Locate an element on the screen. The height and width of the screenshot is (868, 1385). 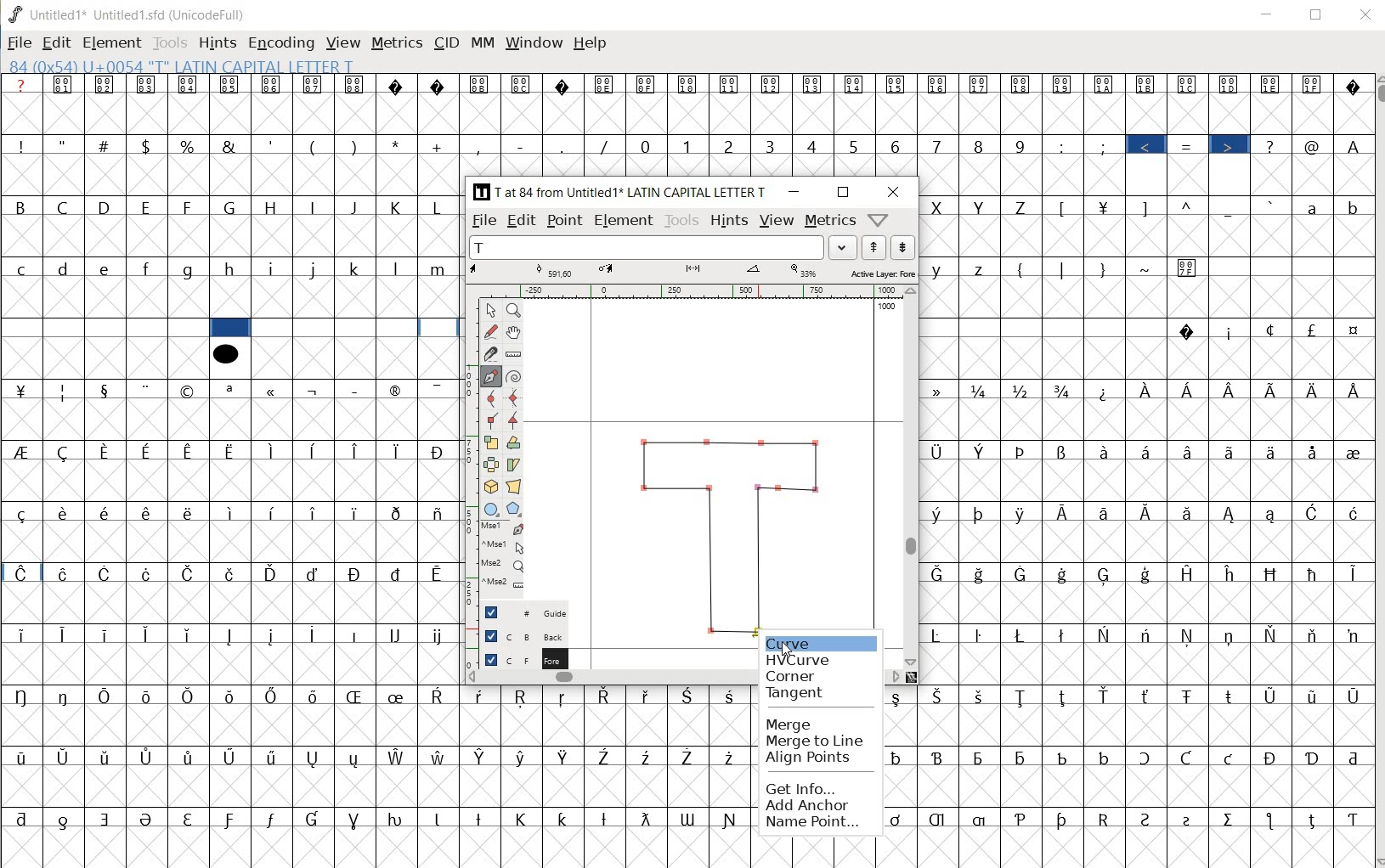
Symbol is located at coordinates (1105, 818).